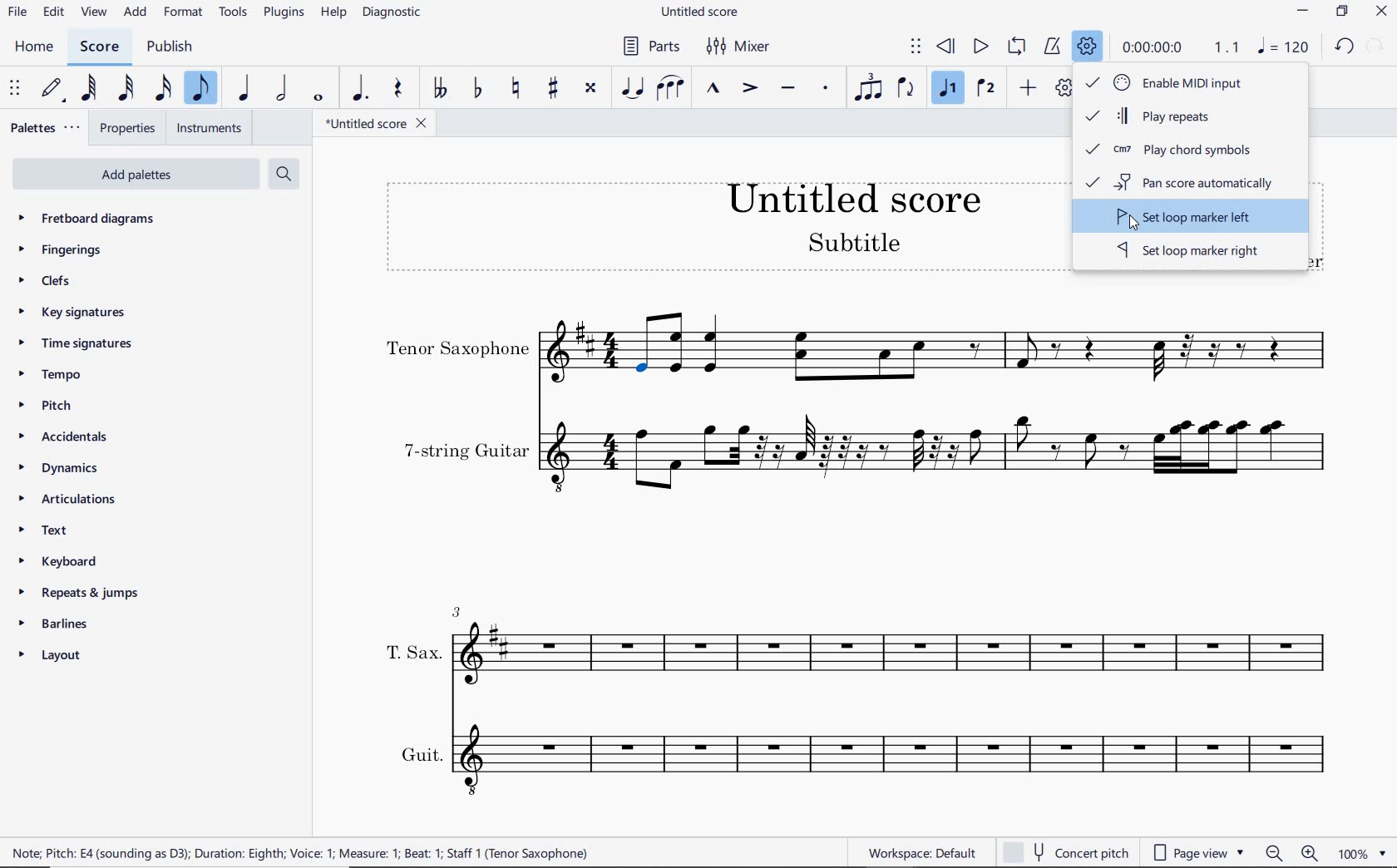 The image size is (1397, 868). I want to click on FILE NAME, so click(703, 11).